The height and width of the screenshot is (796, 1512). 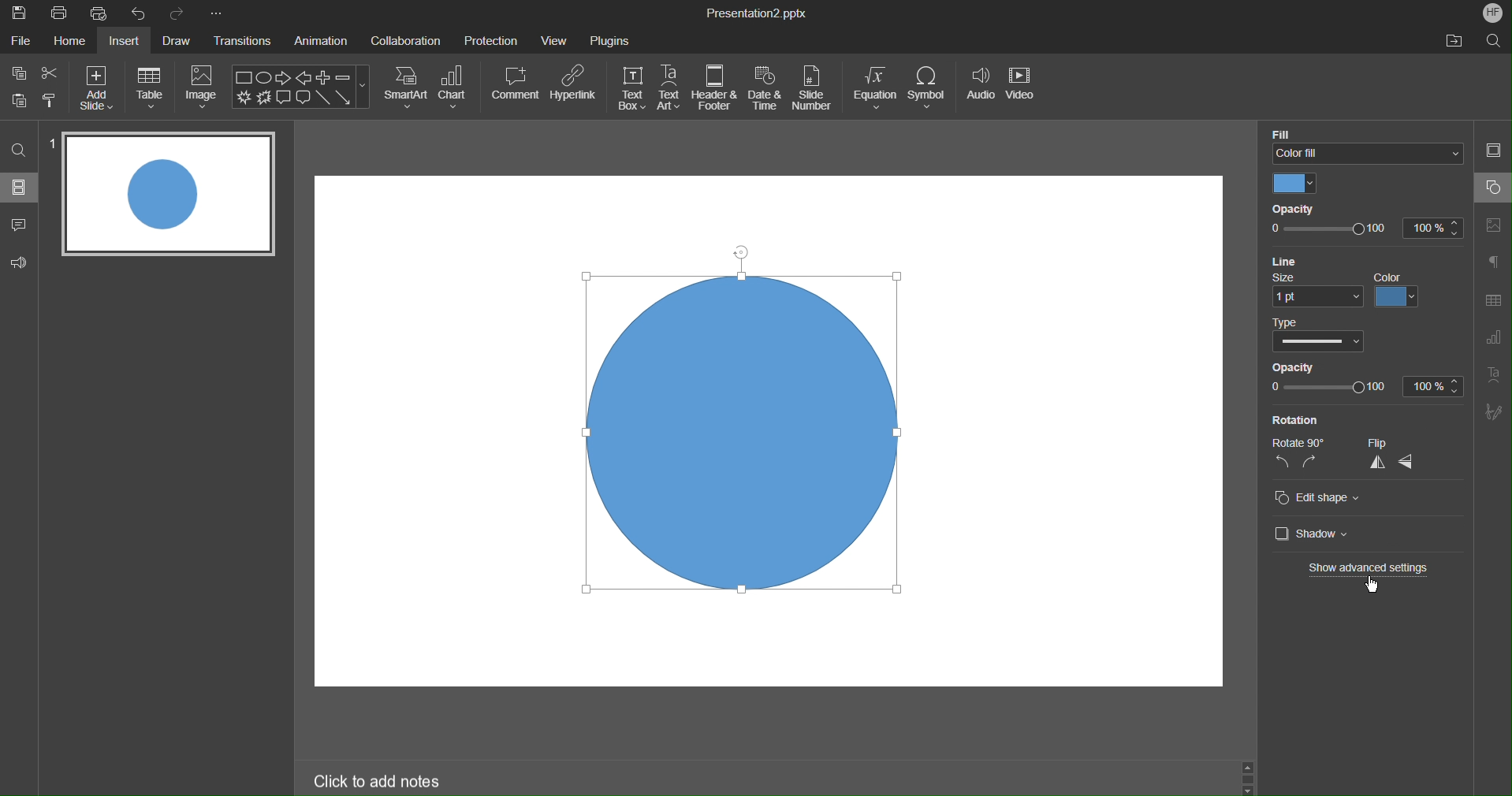 What do you see at coordinates (1434, 385) in the screenshot?
I see `100%` at bounding box center [1434, 385].